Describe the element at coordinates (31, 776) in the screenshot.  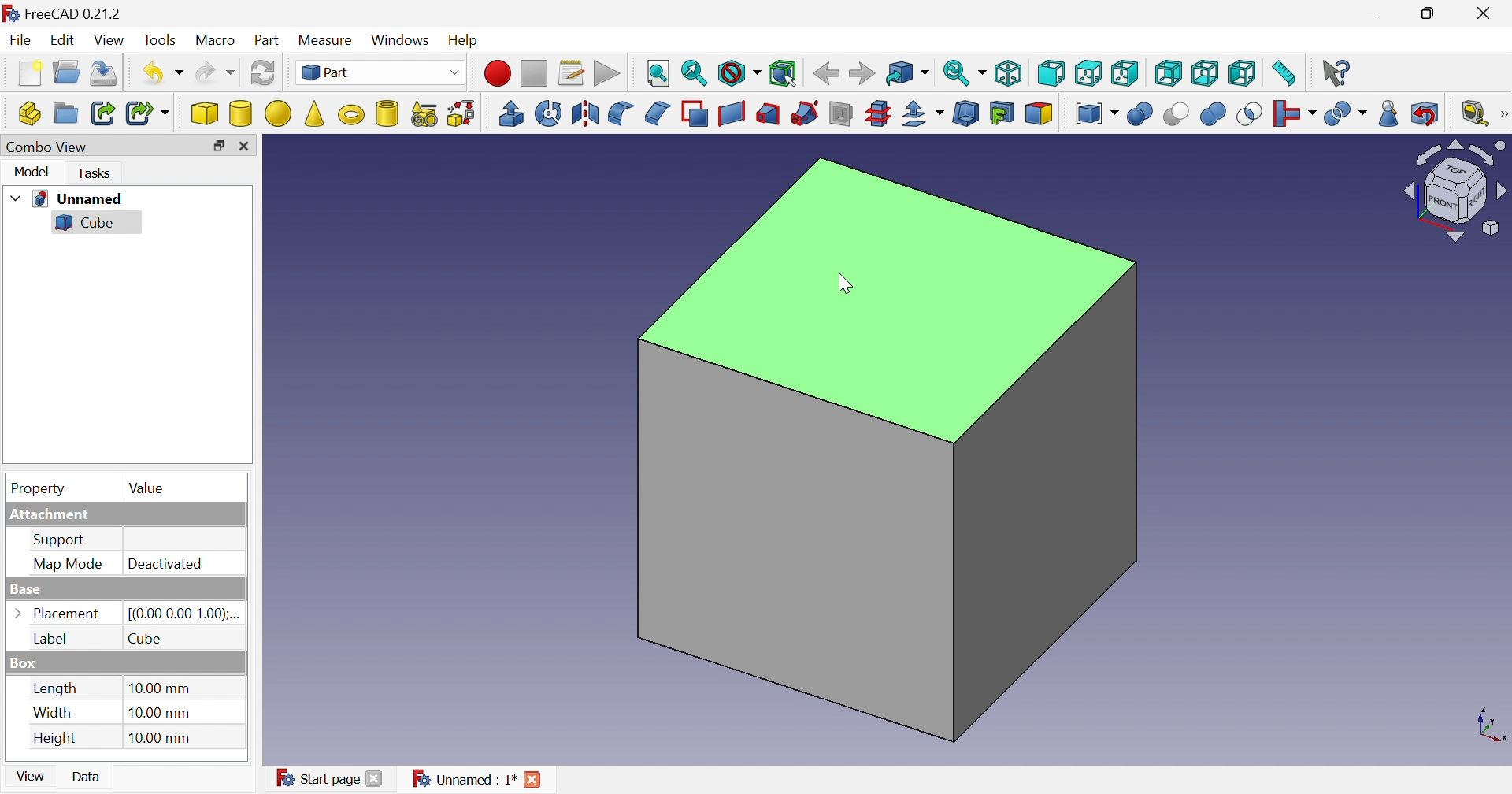
I see `View` at that location.